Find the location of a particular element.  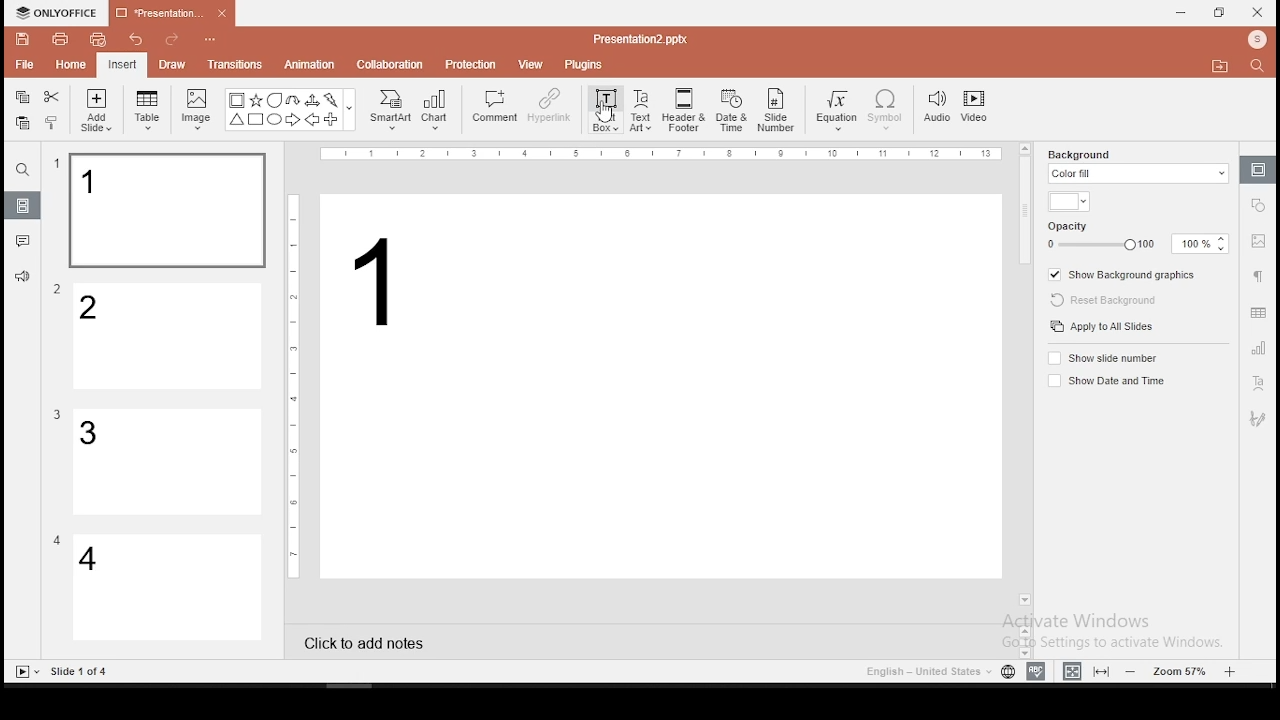

U Arrow is located at coordinates (294, 100).